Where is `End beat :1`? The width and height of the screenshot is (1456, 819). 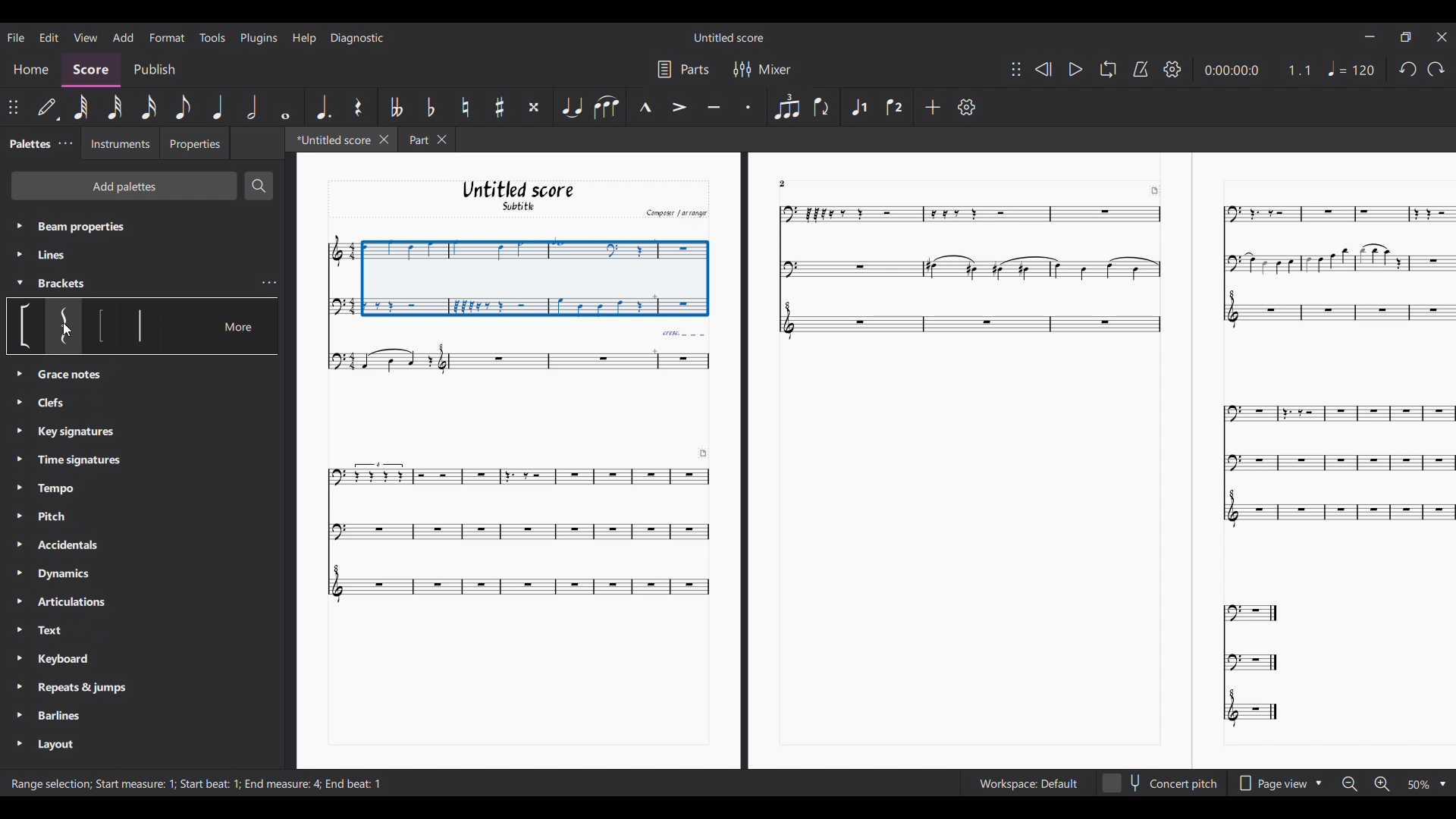
End beat :1 is located at coordinates (354, 783).